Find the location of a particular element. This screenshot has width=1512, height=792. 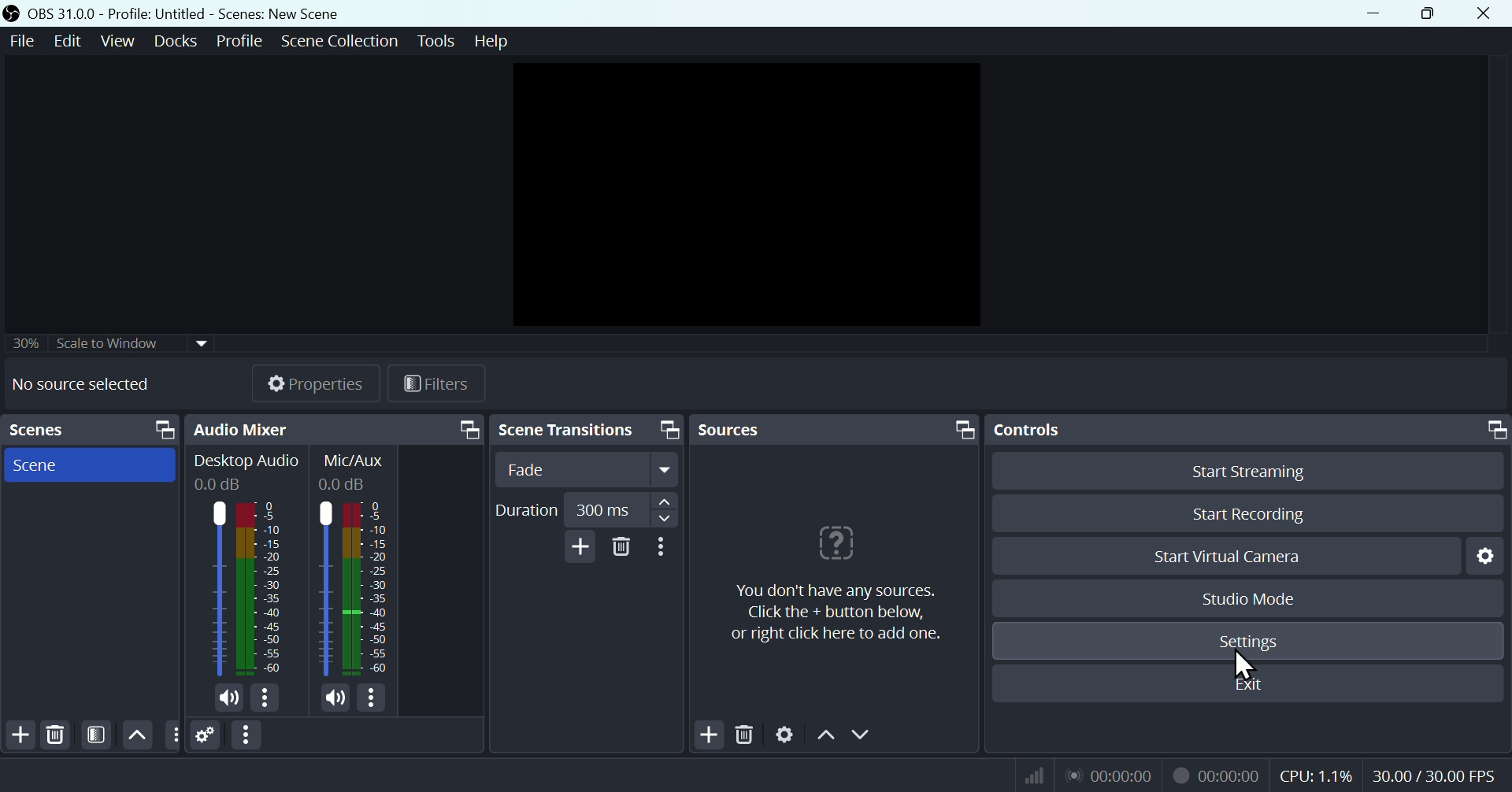

Duration is located at coordinates (589, 509).